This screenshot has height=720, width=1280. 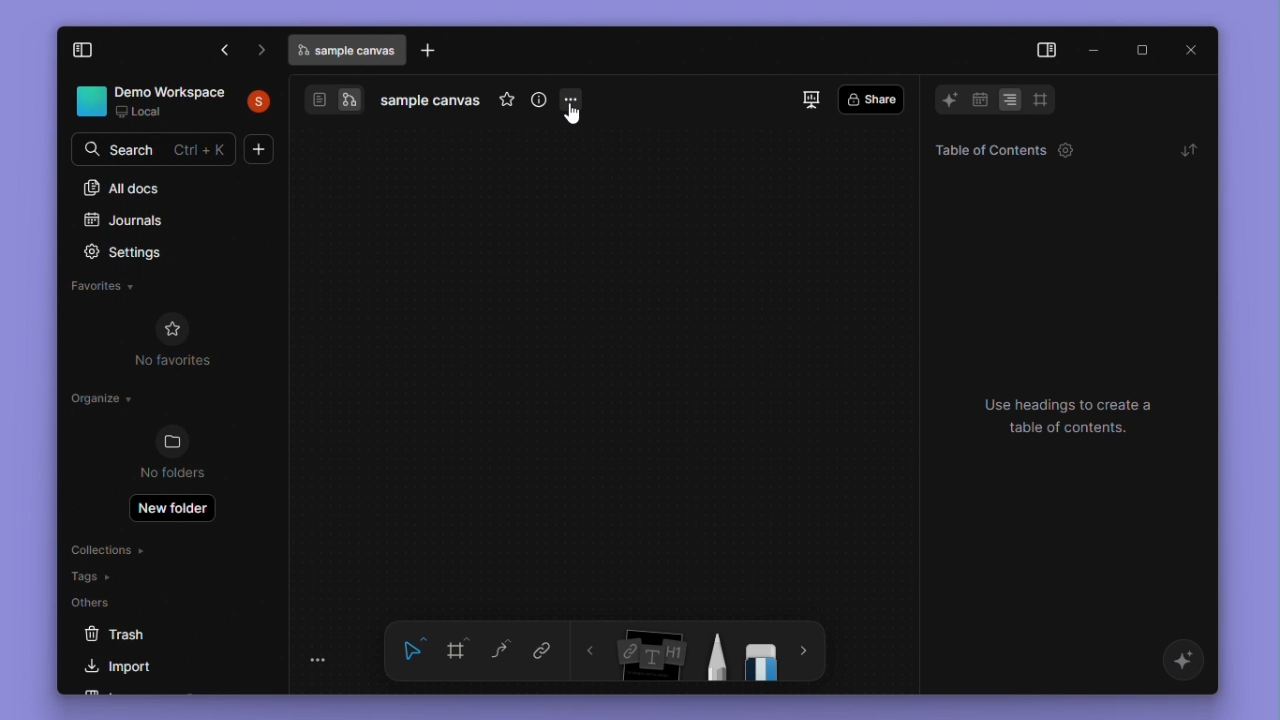 What do you see at coordinates (805, 653) in the screenshot?
I see `more` at bounding box center [805, 653].